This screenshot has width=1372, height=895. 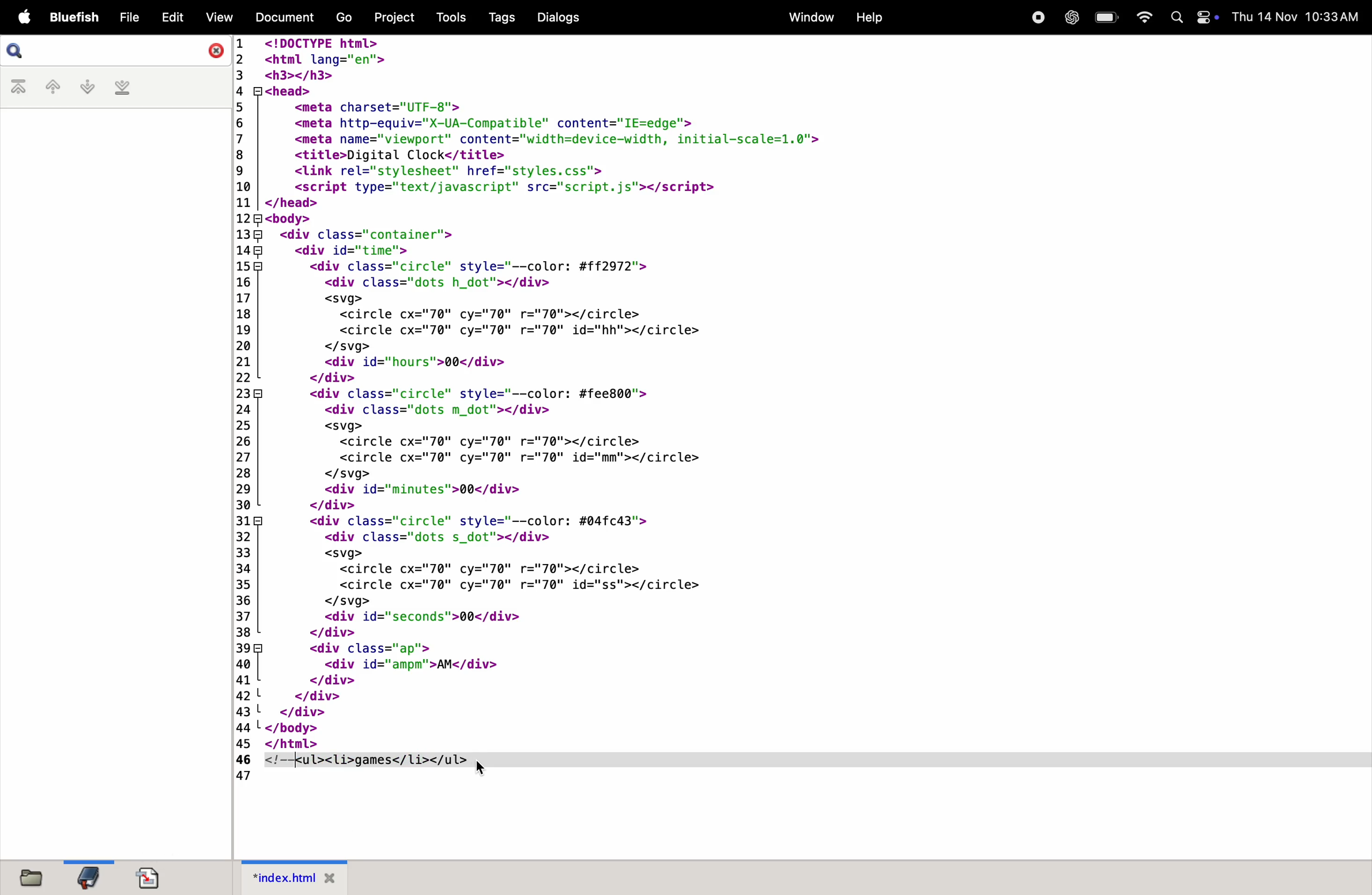 What do you see at coordinates (130, 17) in the screenshot?
I see `File` at bounding box center [130, 17].